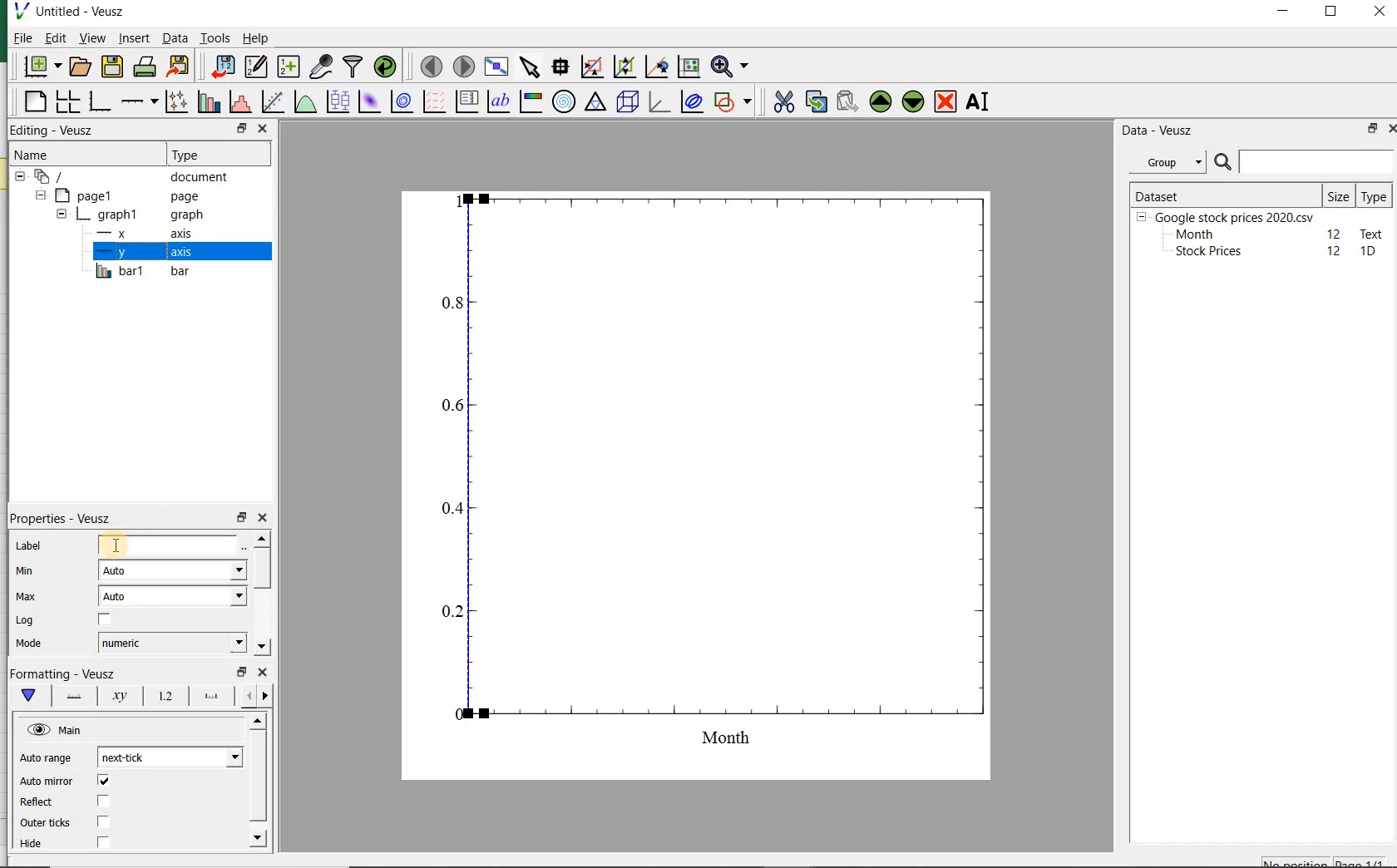 This screenshot has height=868, width=1397. I want to click on SEARCH DATASET, so click(1304, 161).